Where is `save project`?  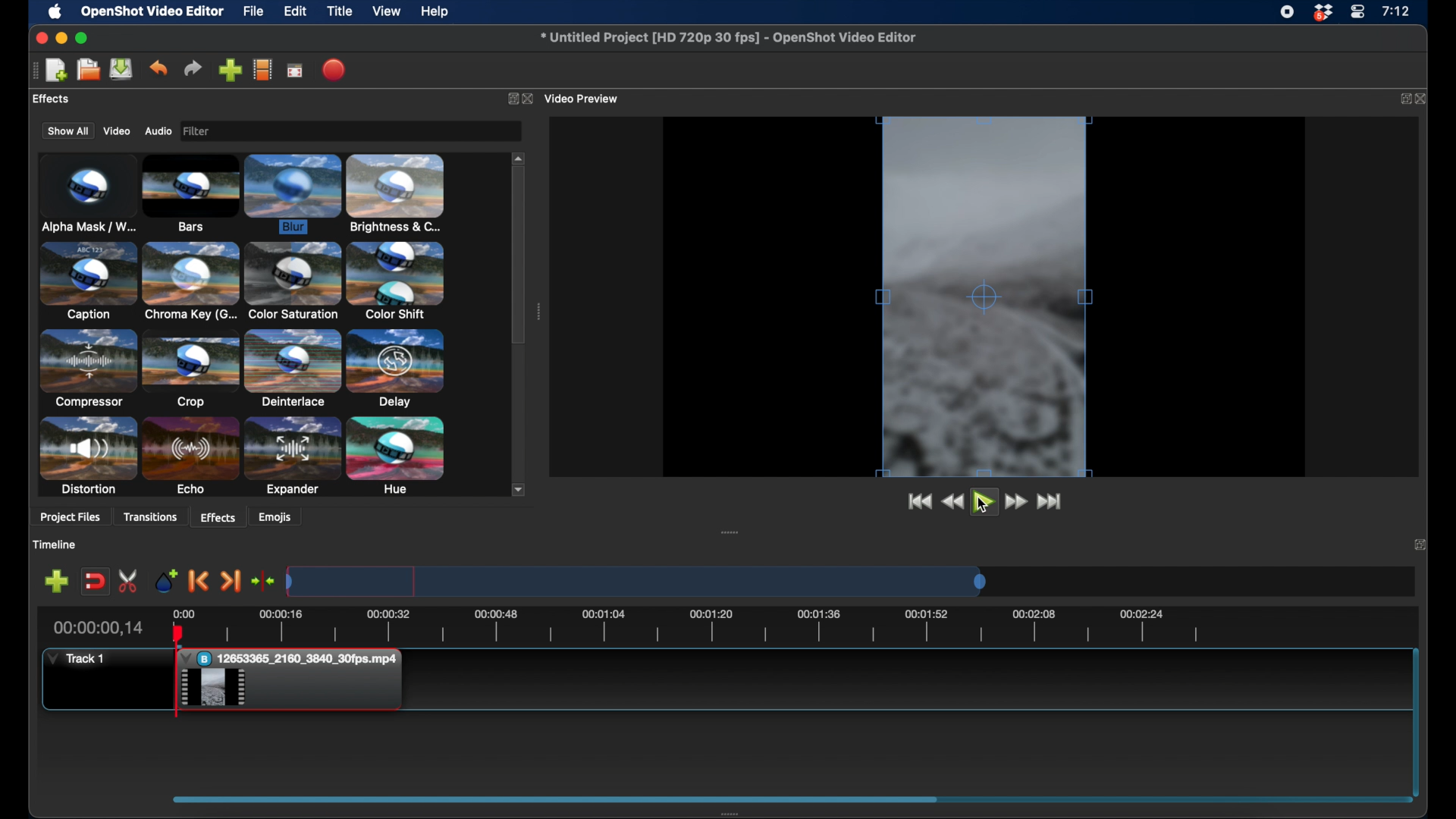
save project is located at coordinates (121, 69).